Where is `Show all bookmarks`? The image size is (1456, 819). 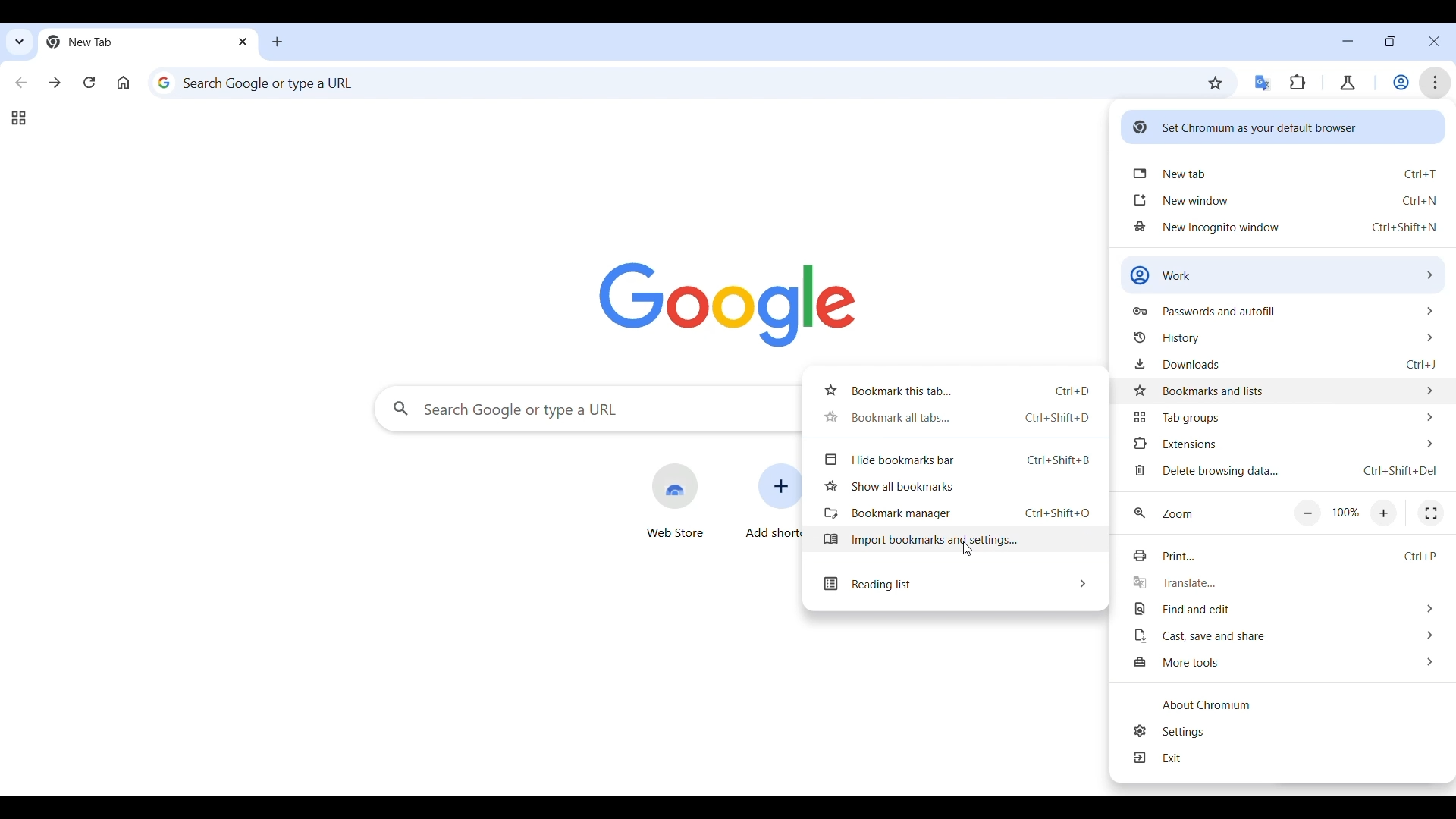
Show all bookmarks is located at coordinates (955, 485).